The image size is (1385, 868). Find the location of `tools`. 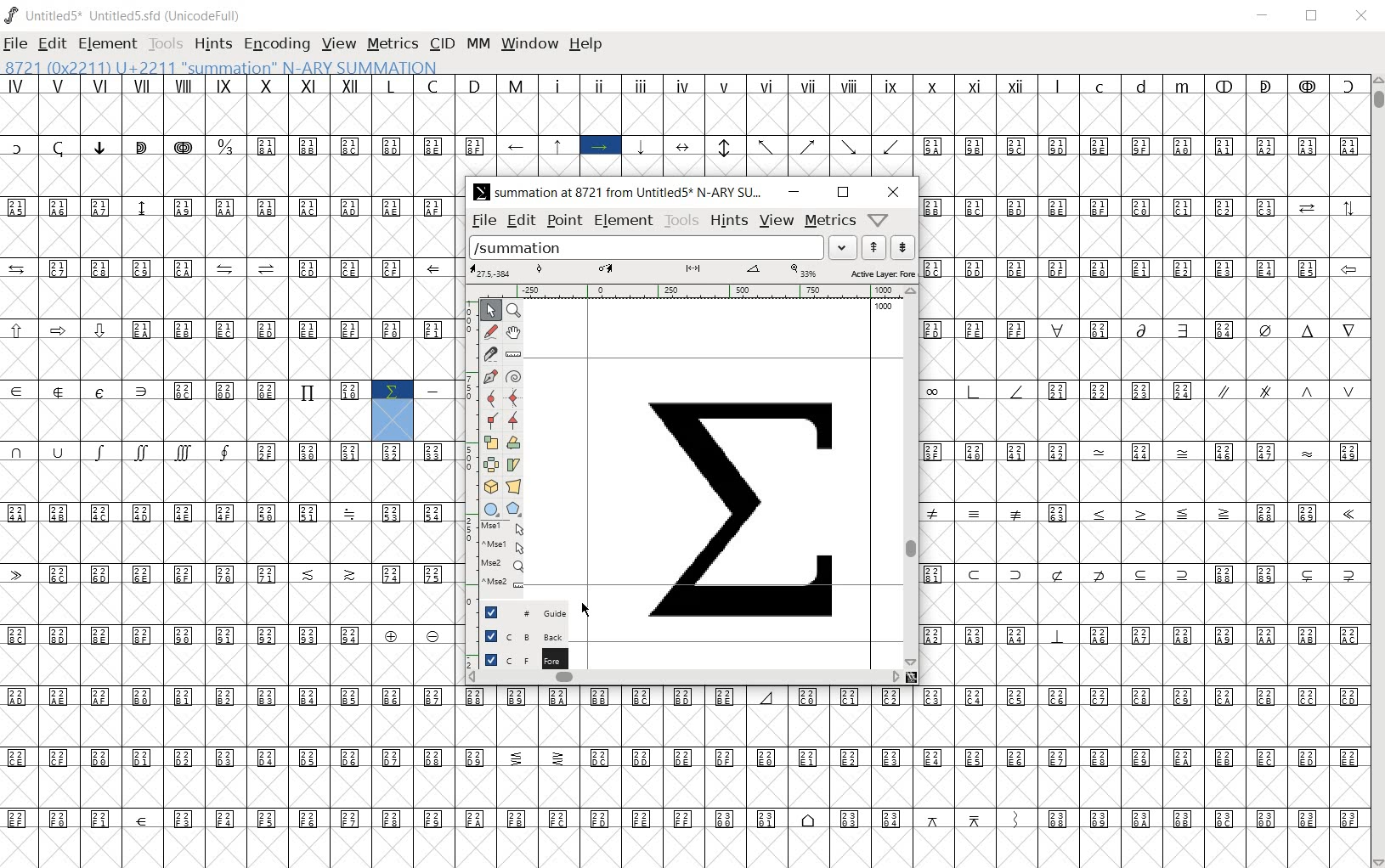

tools is located at coordinates (681, 220).